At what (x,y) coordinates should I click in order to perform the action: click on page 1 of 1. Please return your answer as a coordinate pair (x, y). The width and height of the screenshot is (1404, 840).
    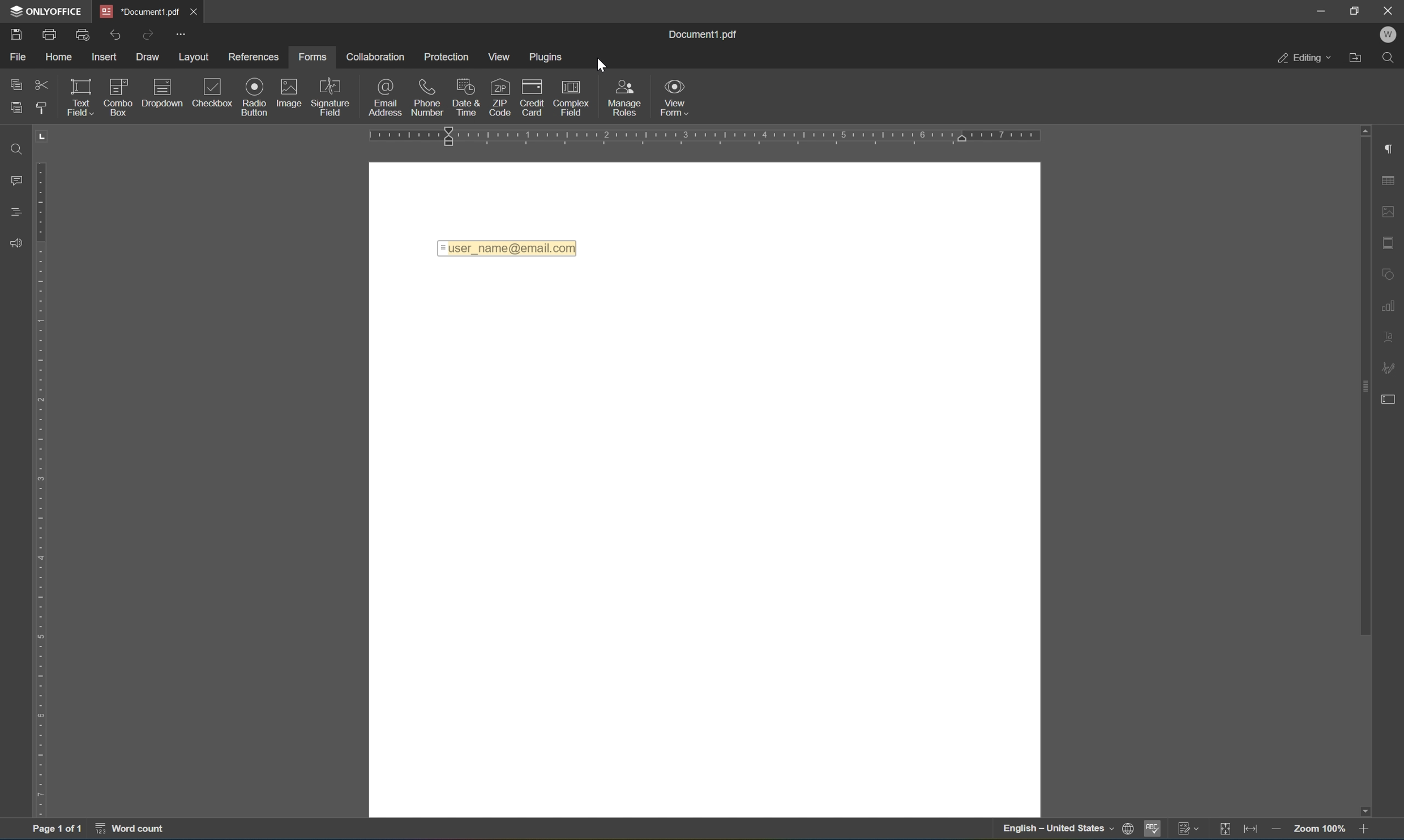
    Looking at the image, I should click on (53, 831).